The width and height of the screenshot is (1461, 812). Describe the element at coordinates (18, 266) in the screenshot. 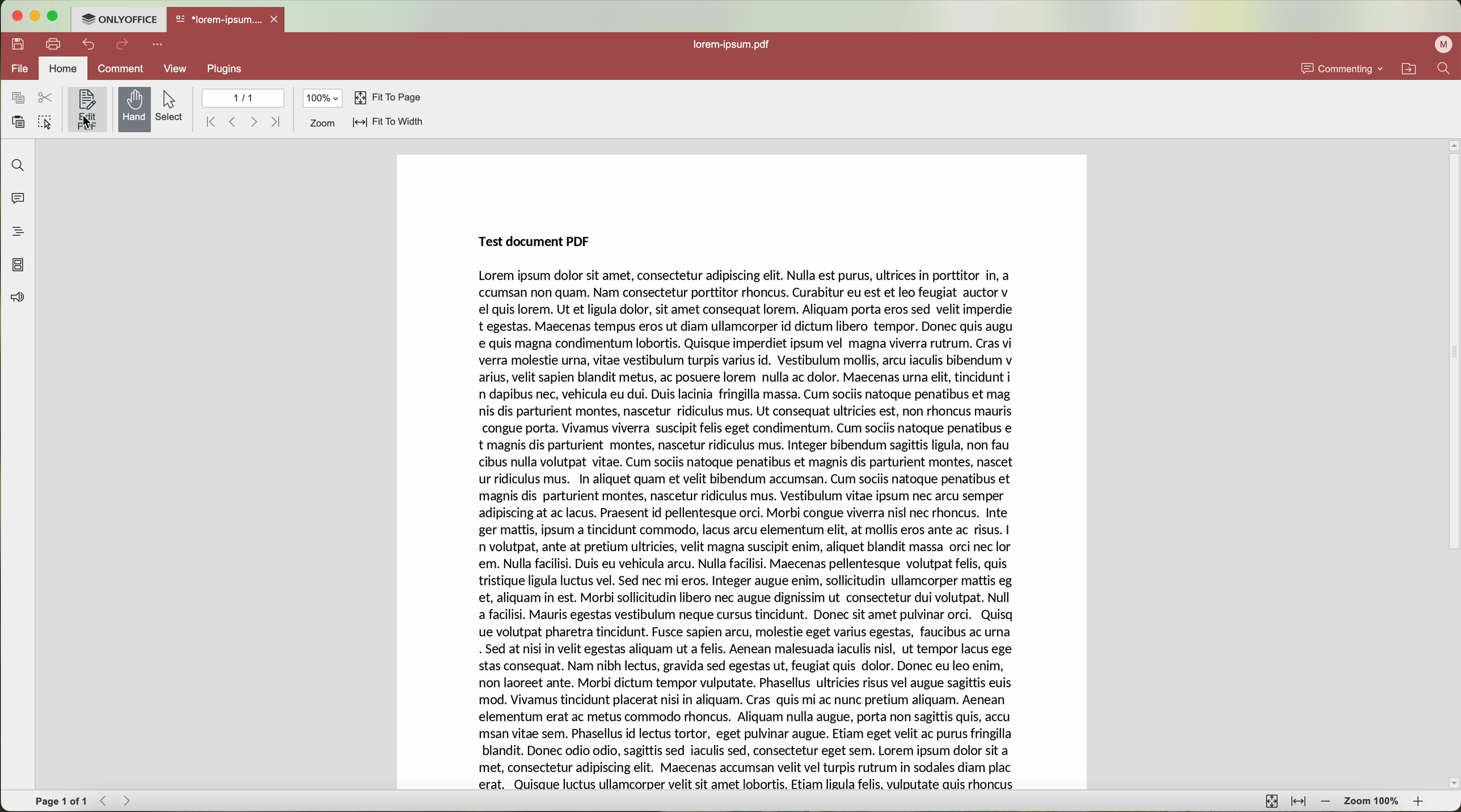

I see `page thumbnails` at that location.